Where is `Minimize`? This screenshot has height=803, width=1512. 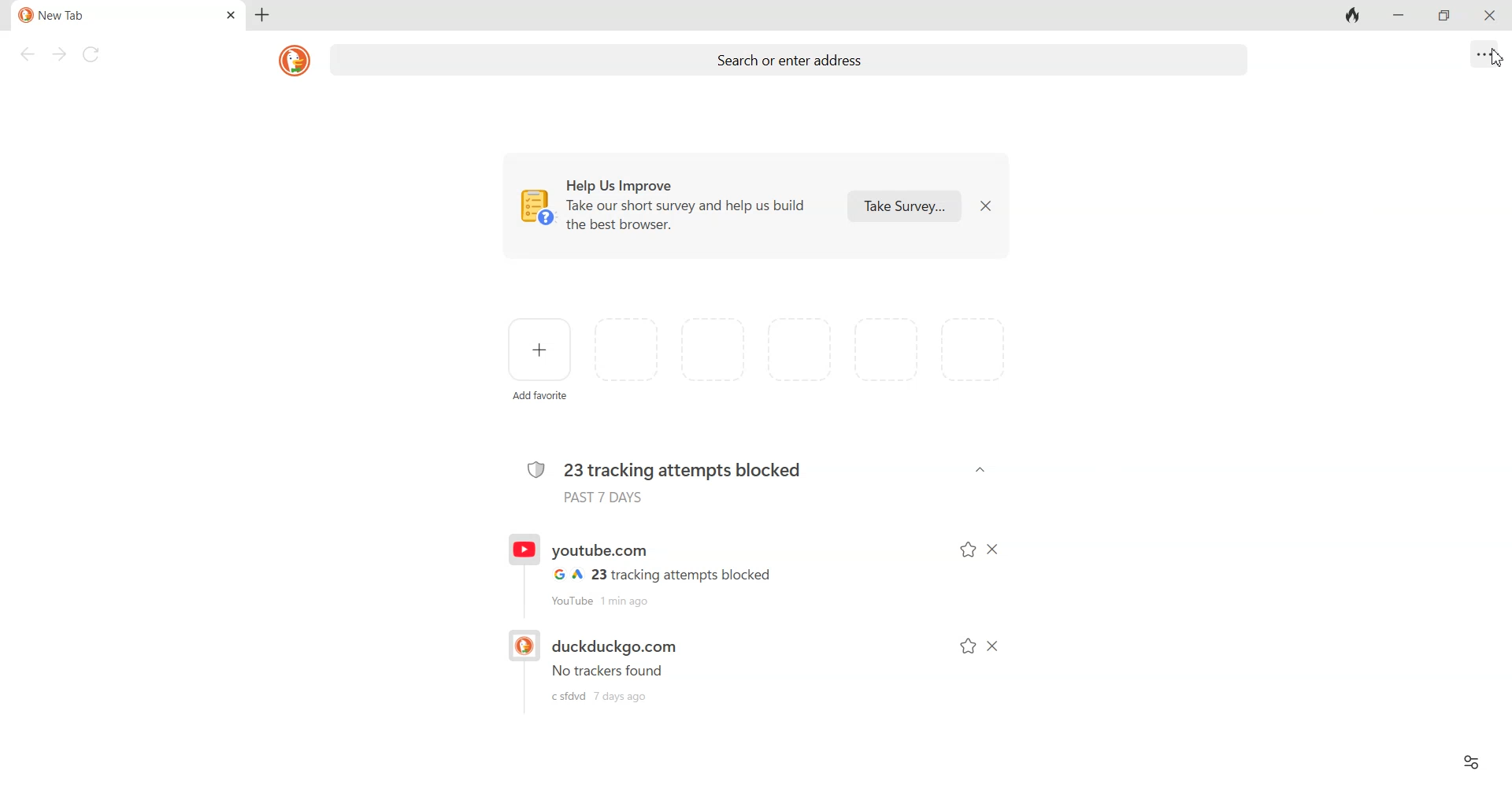
Minimize is located at coordinates (1396, 16).